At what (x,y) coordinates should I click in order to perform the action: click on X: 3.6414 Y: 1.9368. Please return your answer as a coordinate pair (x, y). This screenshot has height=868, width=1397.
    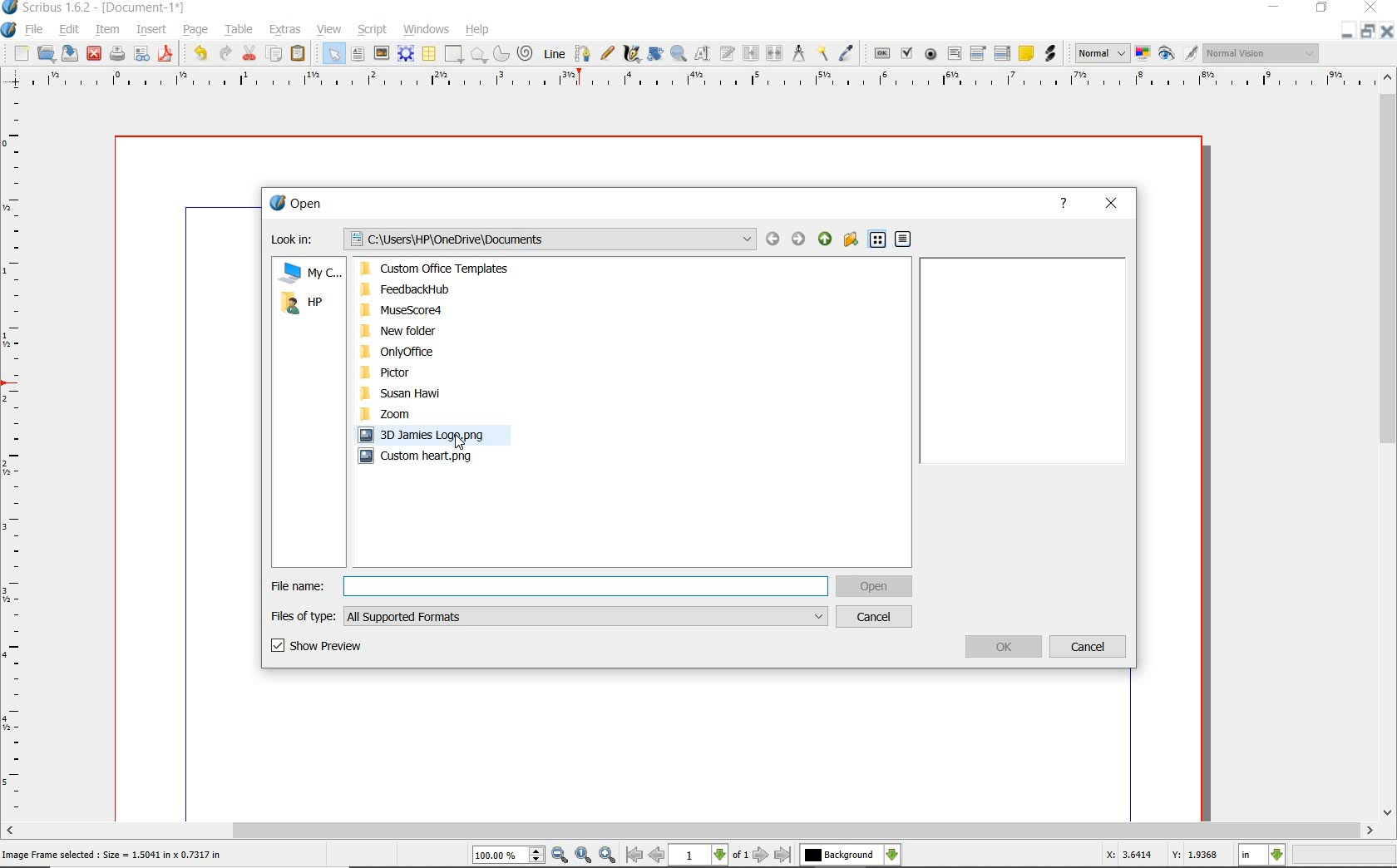
    Looking at the image, I should click on (1161, 856).